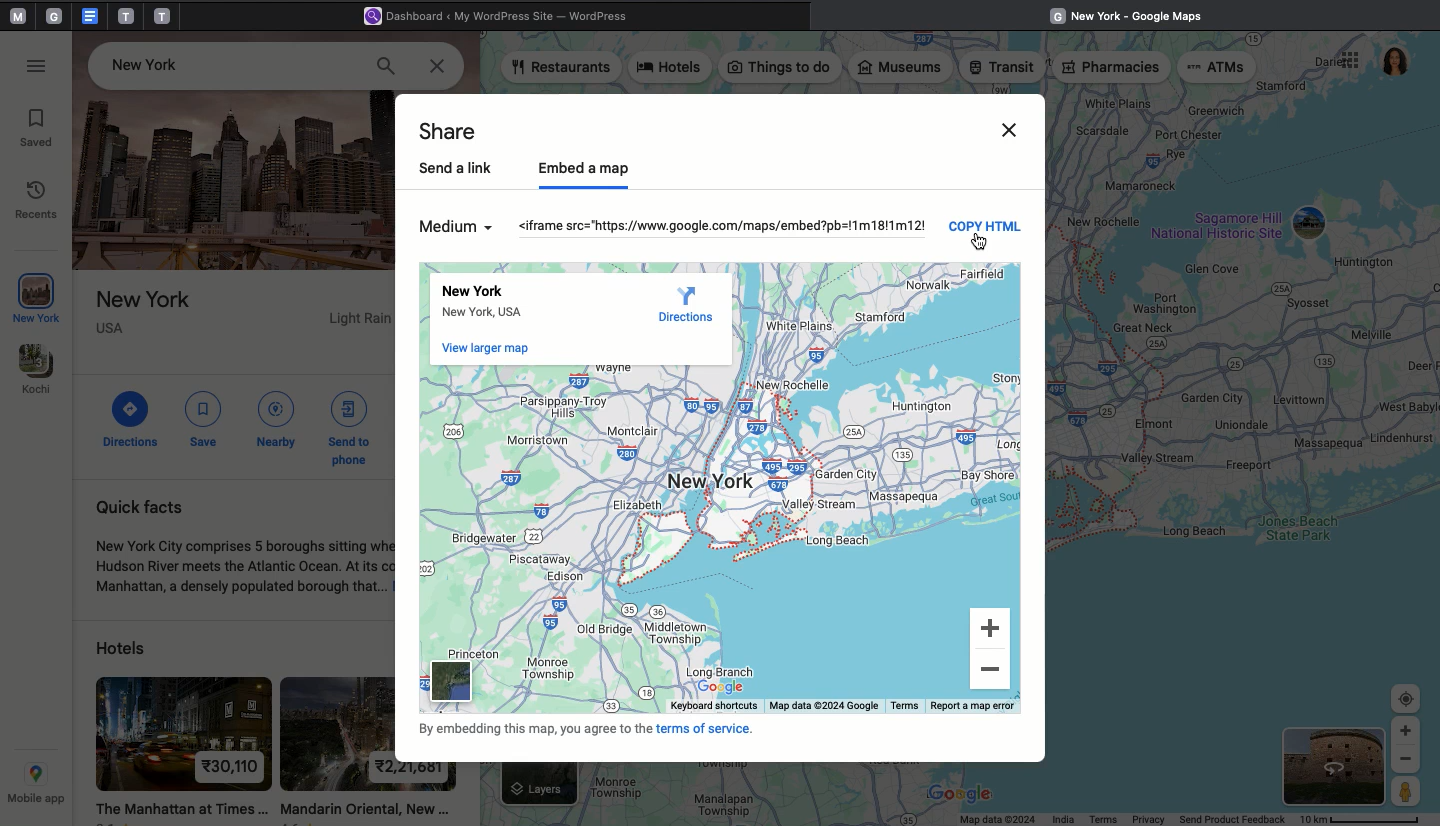 This screenshot has height=826, width=1440. I want to click on Place, so click(242, 328).